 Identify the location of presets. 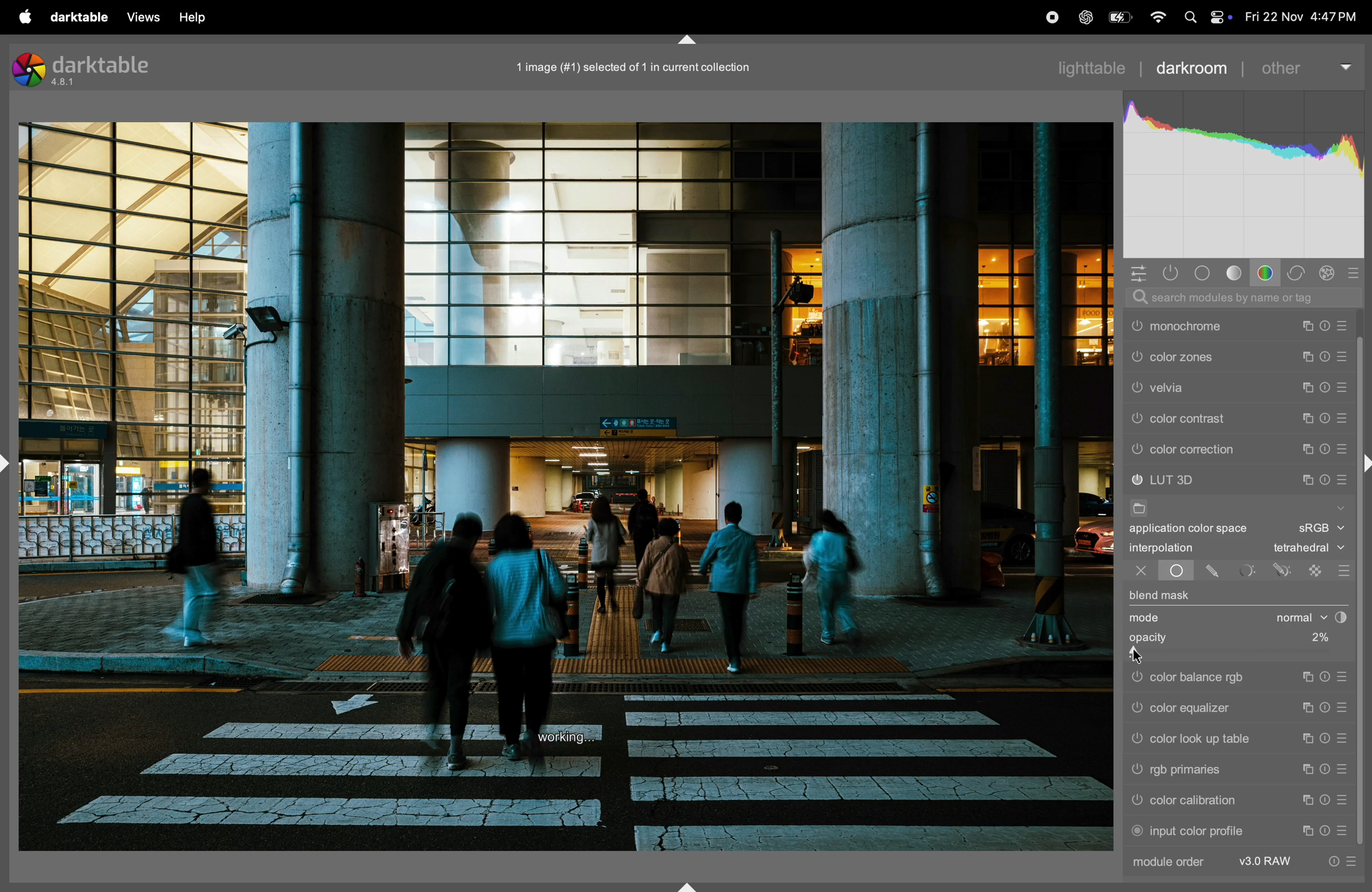
(1341, 738).